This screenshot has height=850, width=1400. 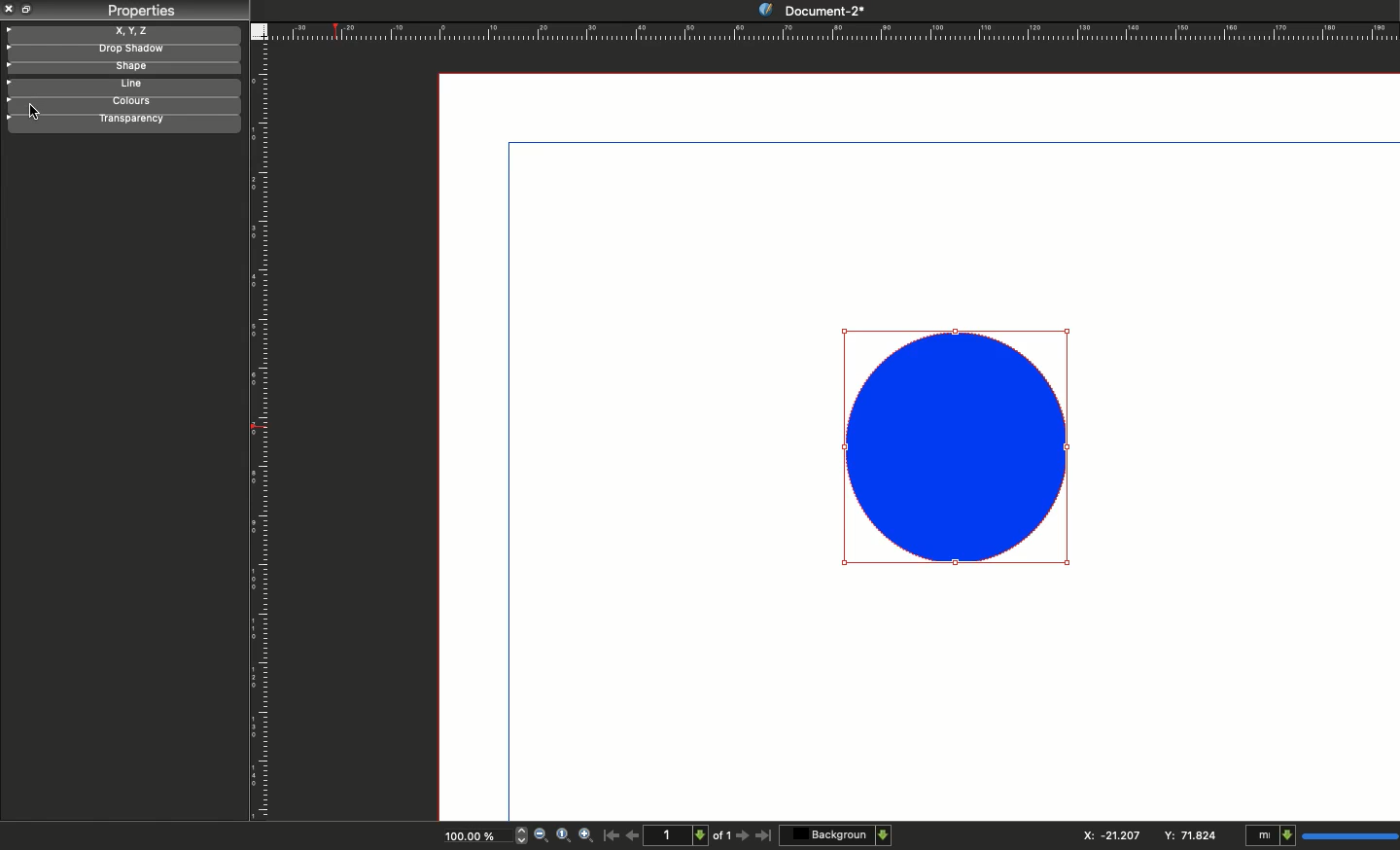 I want to click on zoom in and out, so click(x=517, y=834).